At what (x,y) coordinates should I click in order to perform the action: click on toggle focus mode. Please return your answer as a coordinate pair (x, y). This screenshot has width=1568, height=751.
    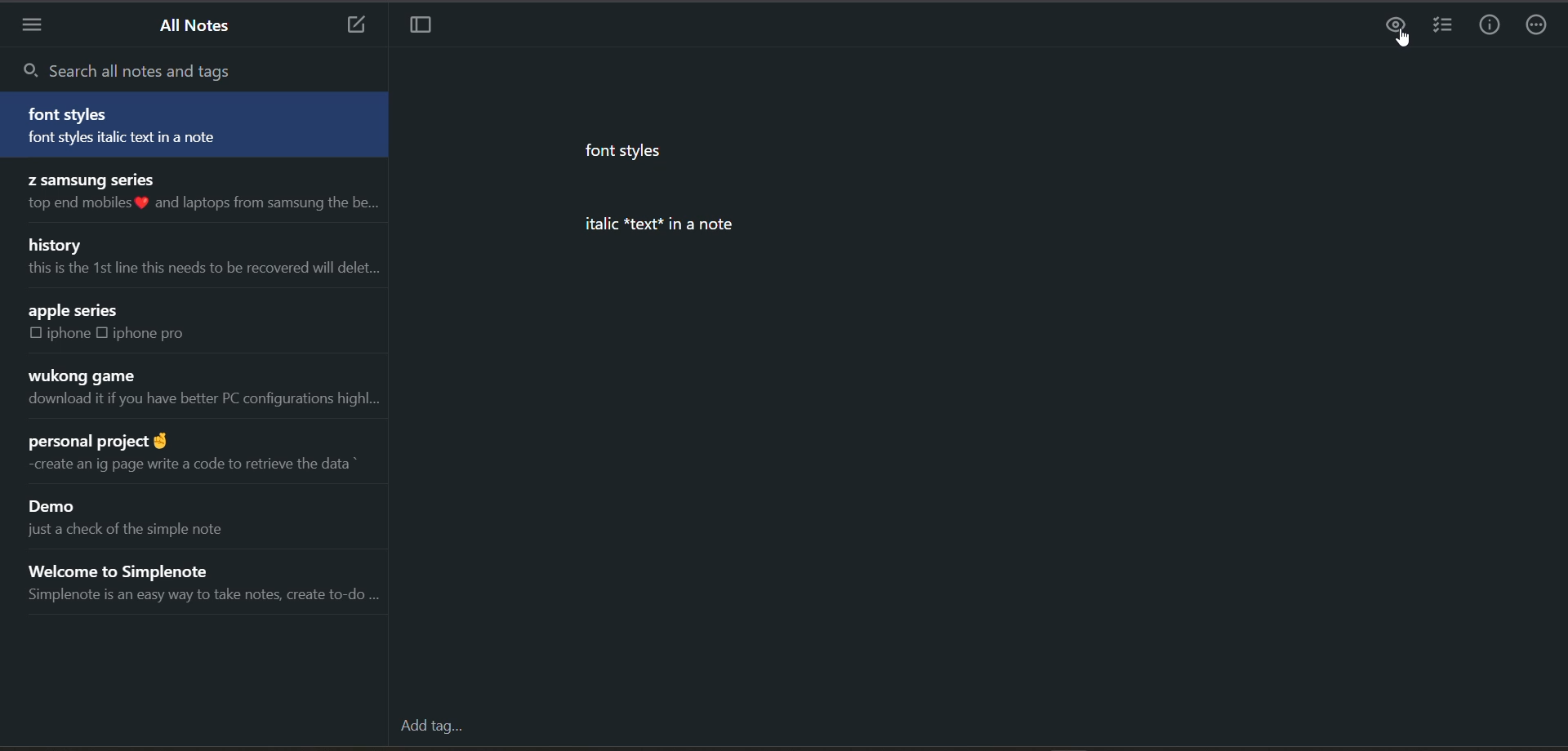
    Looking at the image, I should click on (431, 28).